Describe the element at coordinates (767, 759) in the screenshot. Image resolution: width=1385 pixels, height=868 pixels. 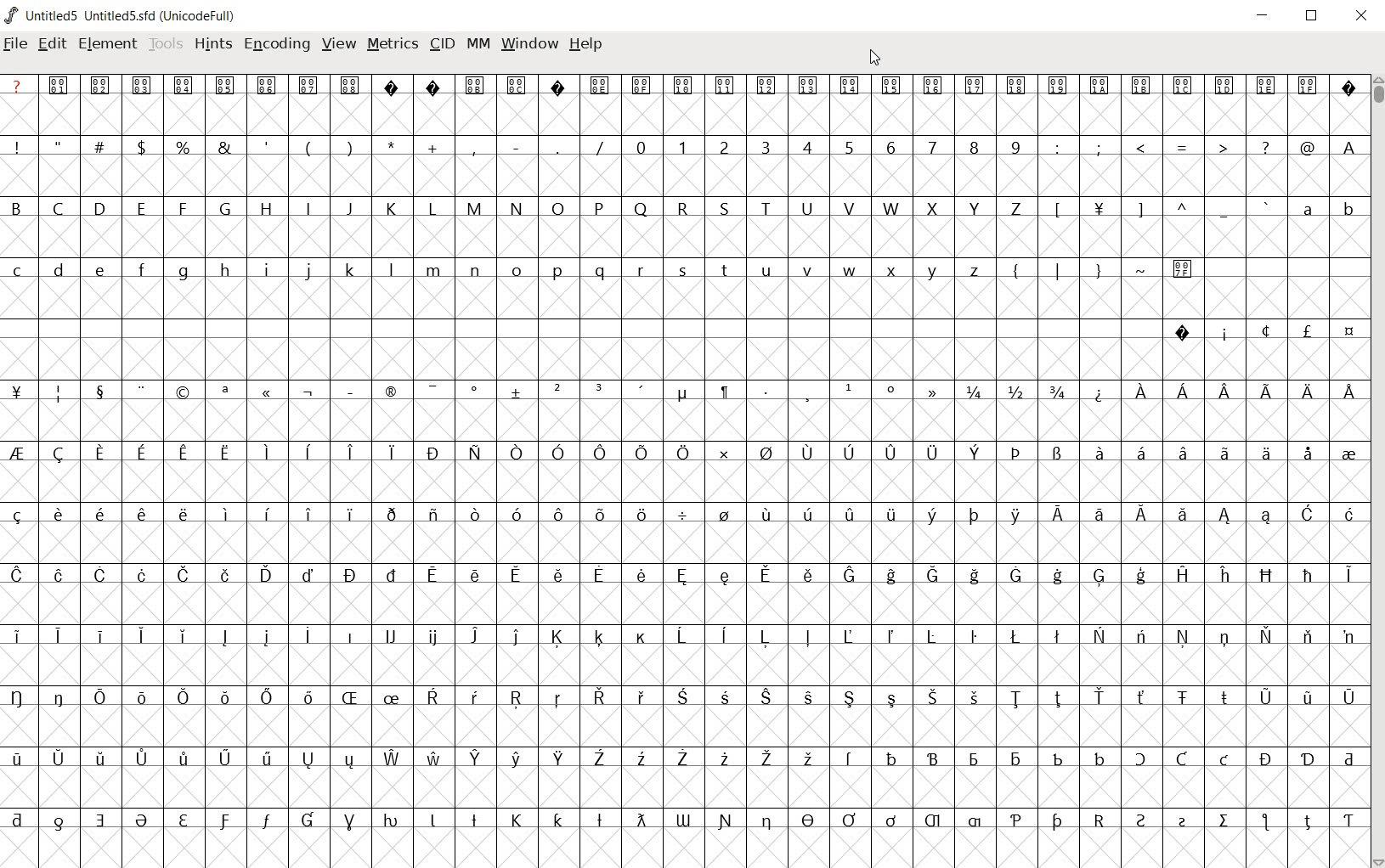
I see `Symbol` at that location.